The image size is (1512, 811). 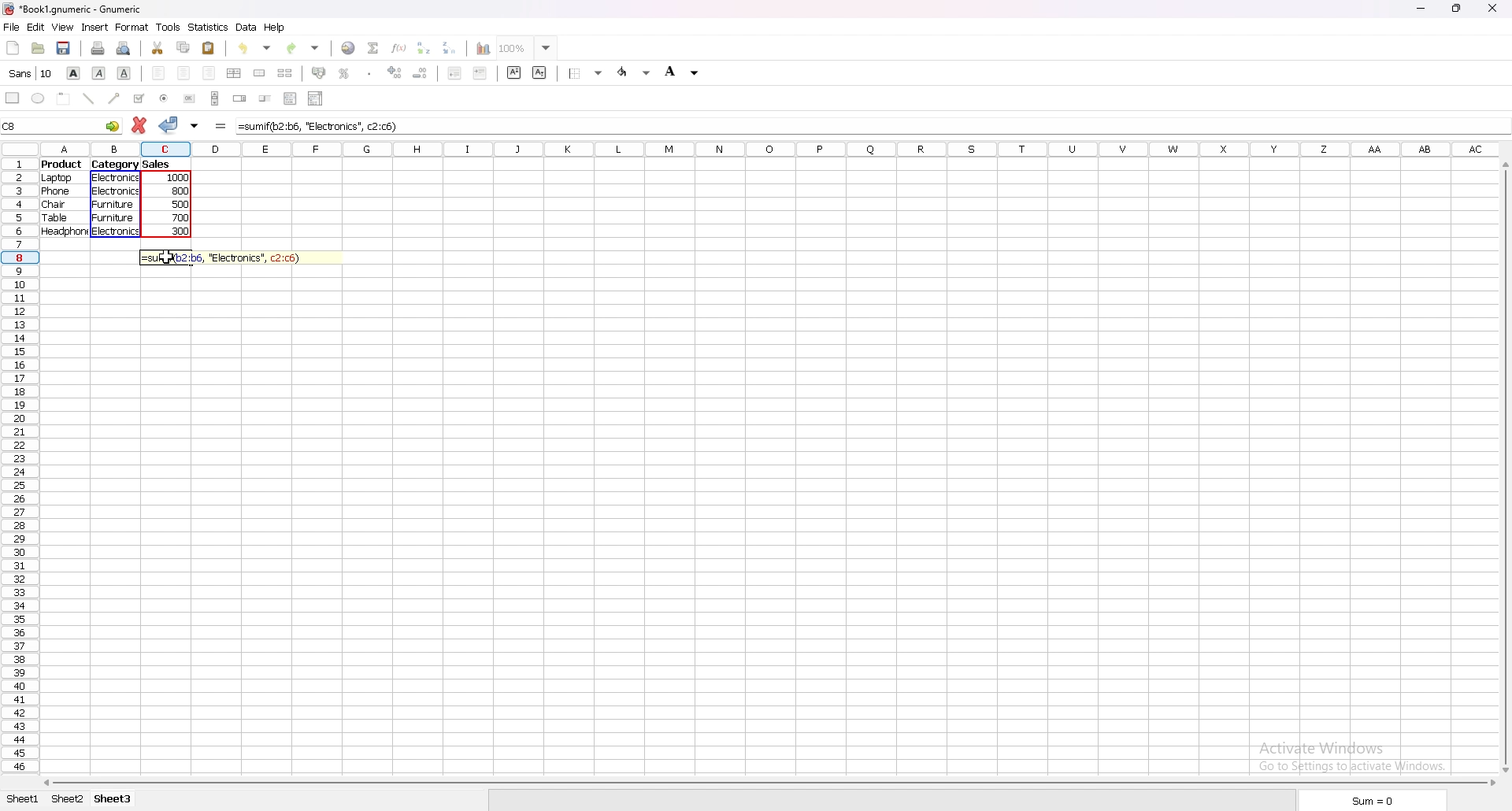 What do you see at coordinates (95, 27) in the screenshot?
I see `insert` at bounding box center [95, 27].